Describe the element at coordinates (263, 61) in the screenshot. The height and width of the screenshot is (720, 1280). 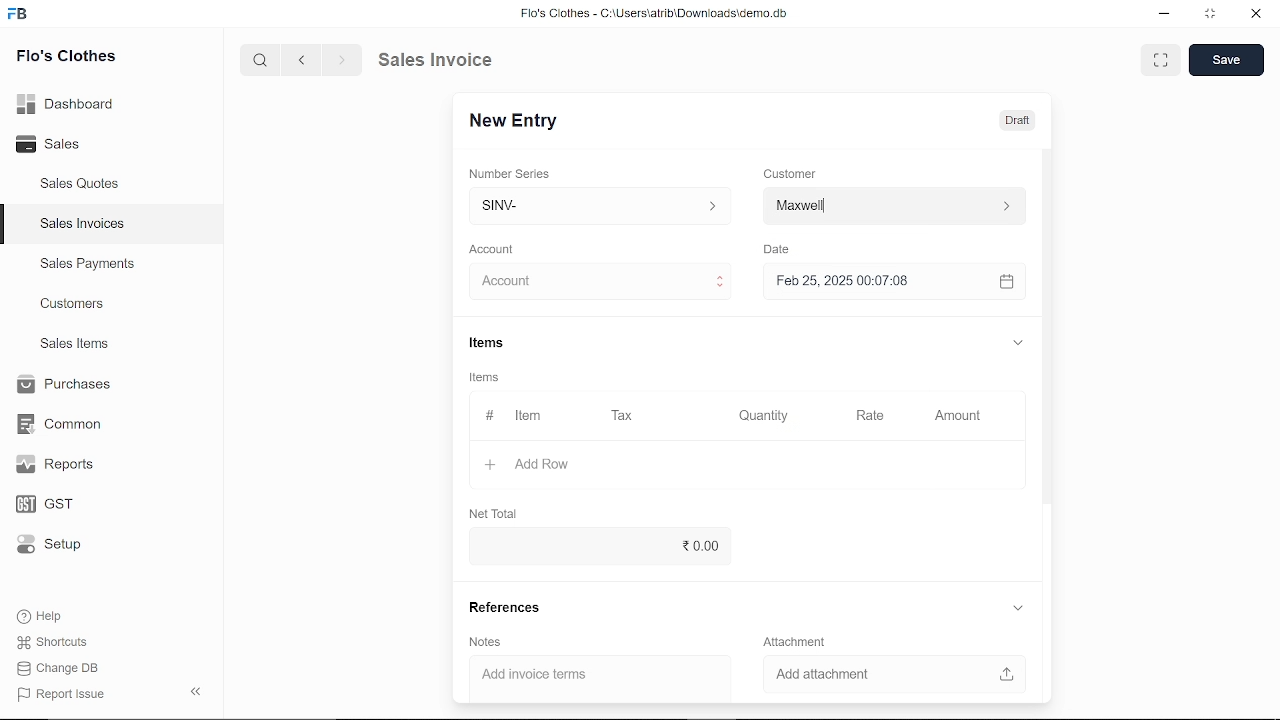
I see `search` at that location.